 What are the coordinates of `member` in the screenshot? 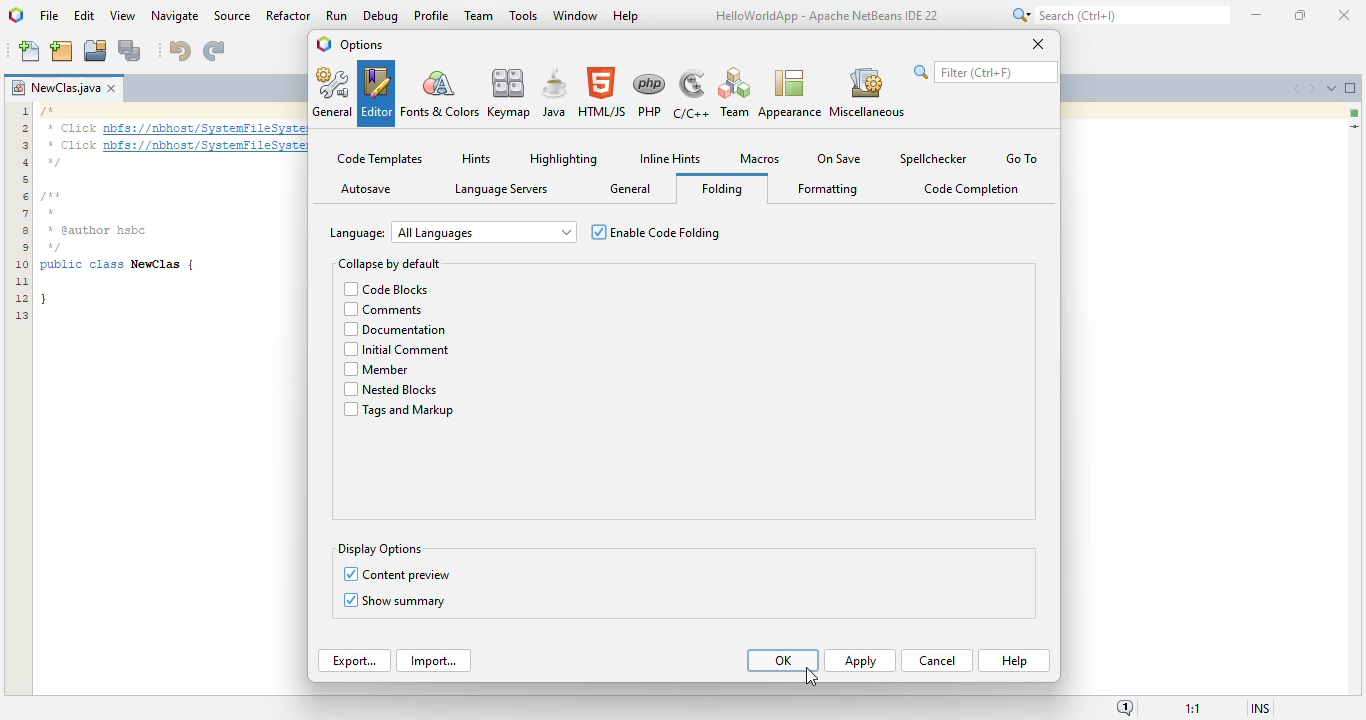 It's located at (376, 371).